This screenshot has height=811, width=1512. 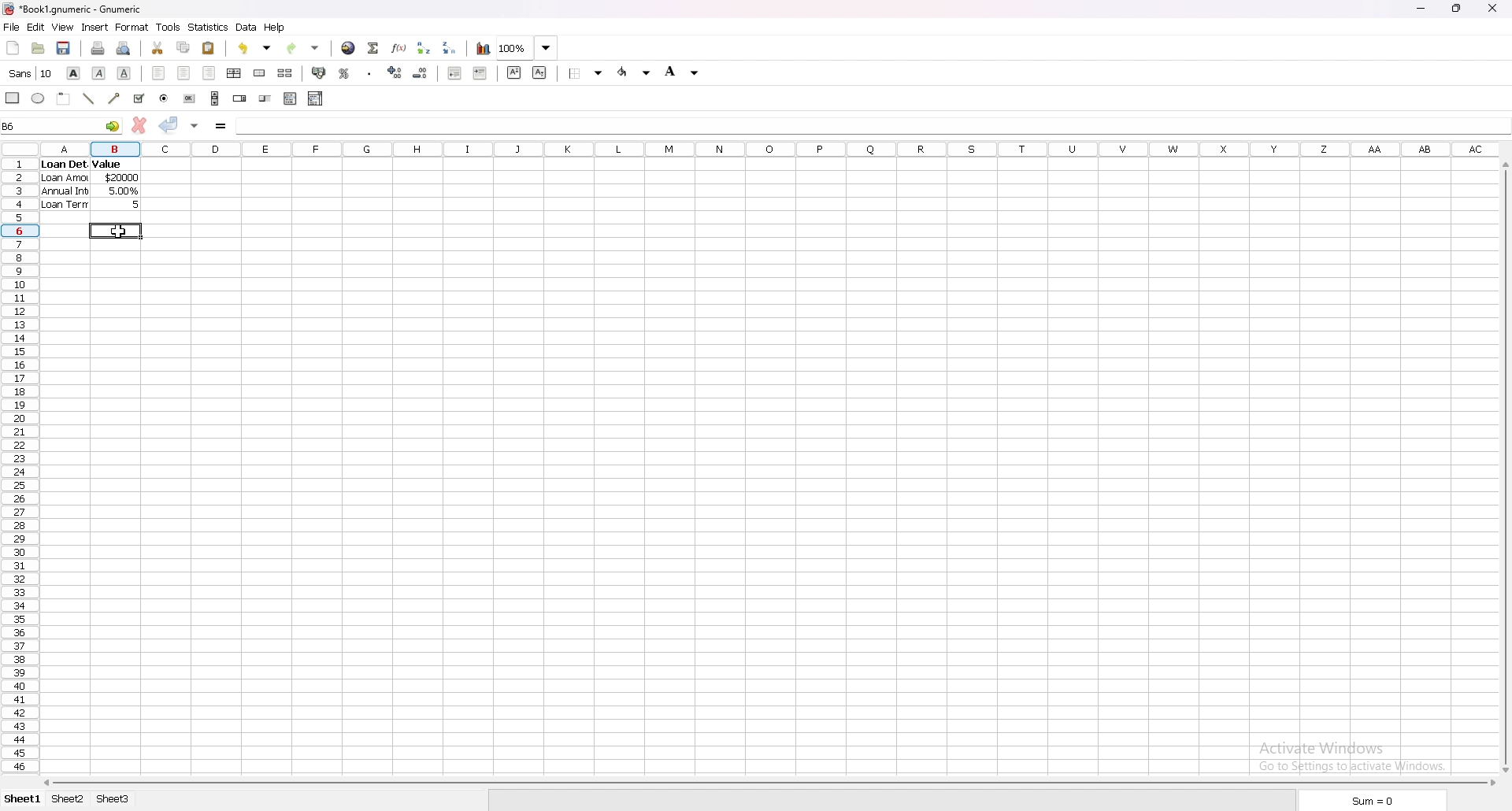 What do you see at coordinates (480, 73) in the screenshot?
I see `increase indent` at bounding box center [480, 73].